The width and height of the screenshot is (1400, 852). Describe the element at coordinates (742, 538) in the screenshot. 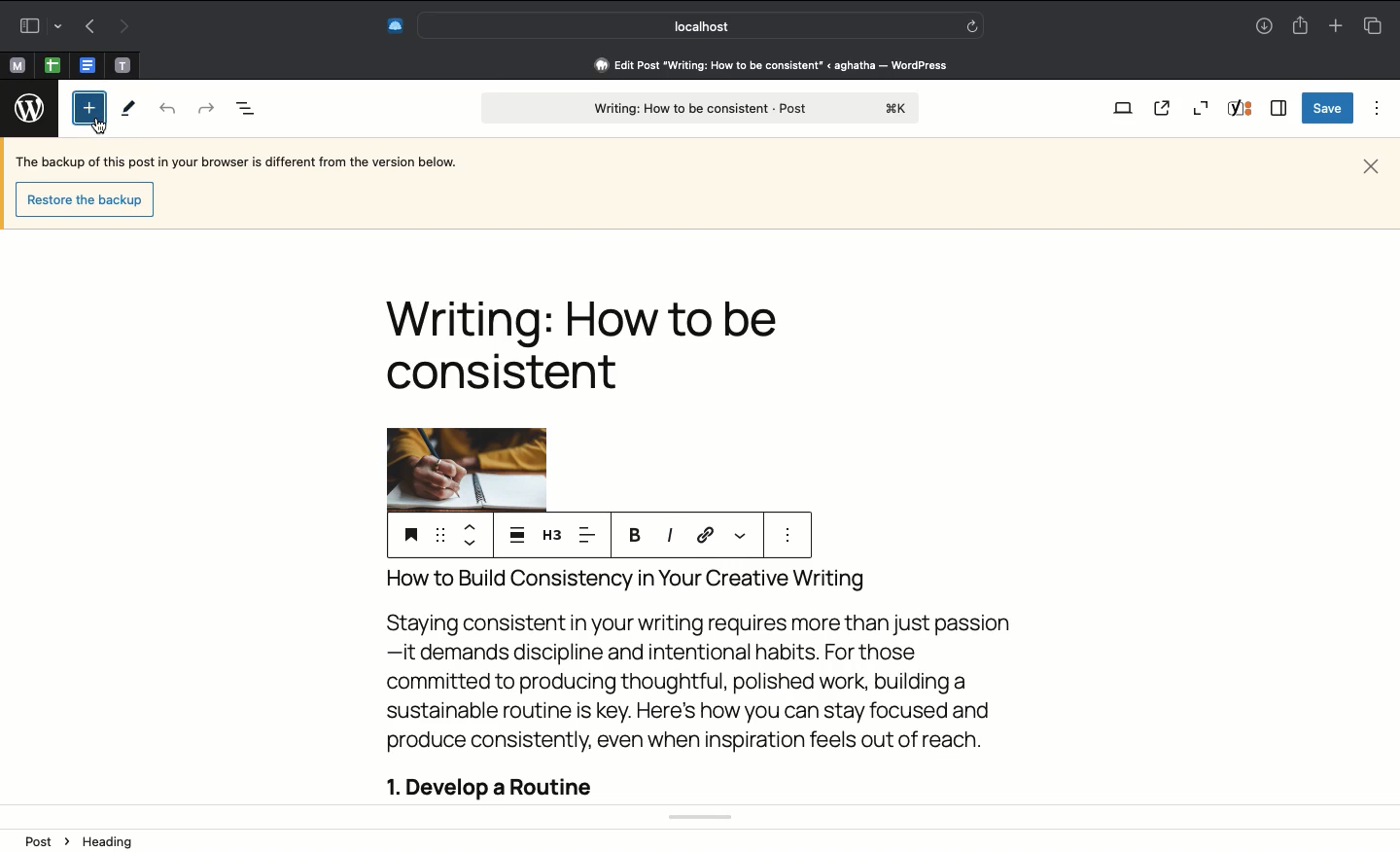

I see `More` at that location.